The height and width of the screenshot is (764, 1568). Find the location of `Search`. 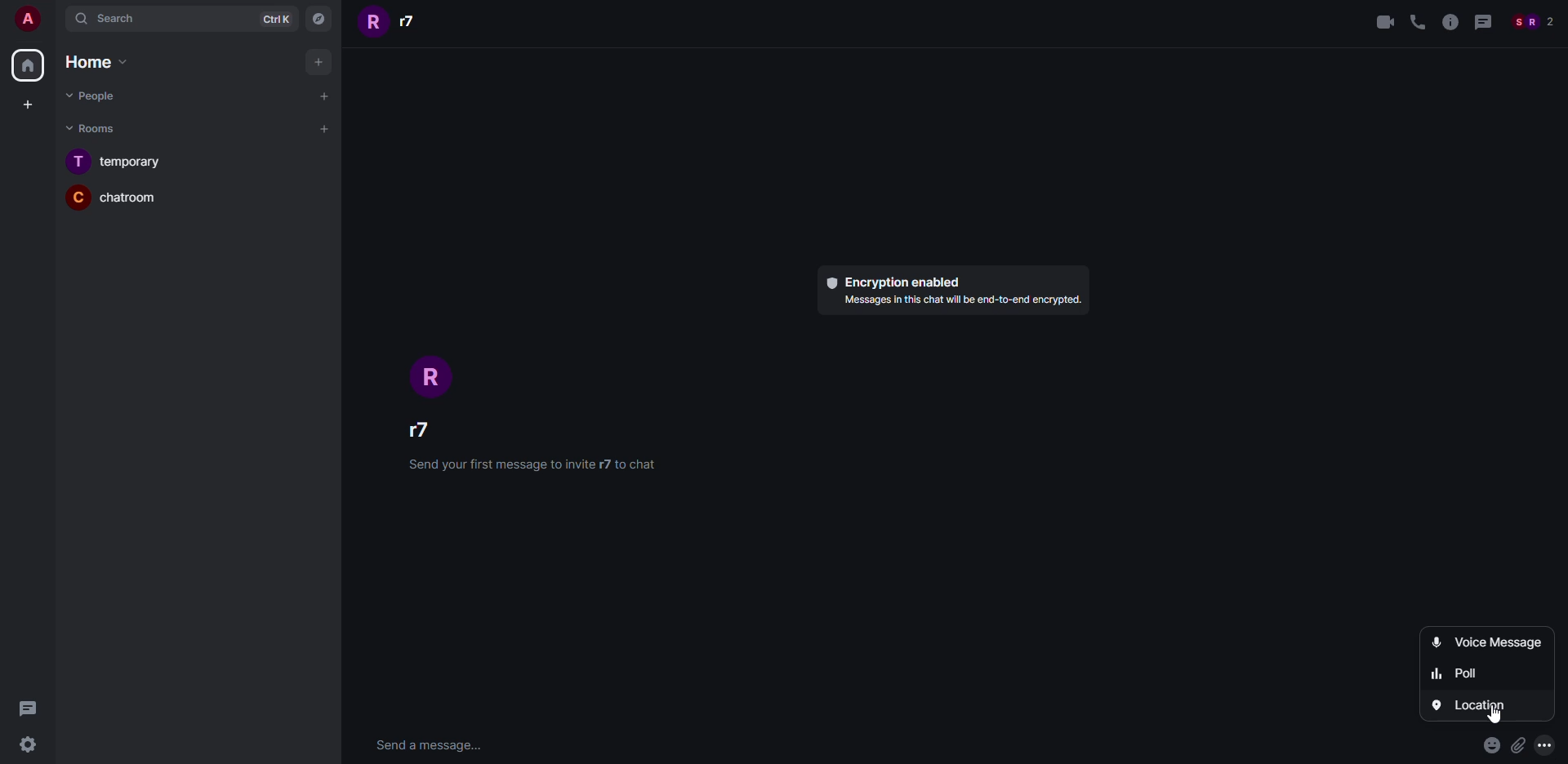

Search is located at coordinates (151, 19).